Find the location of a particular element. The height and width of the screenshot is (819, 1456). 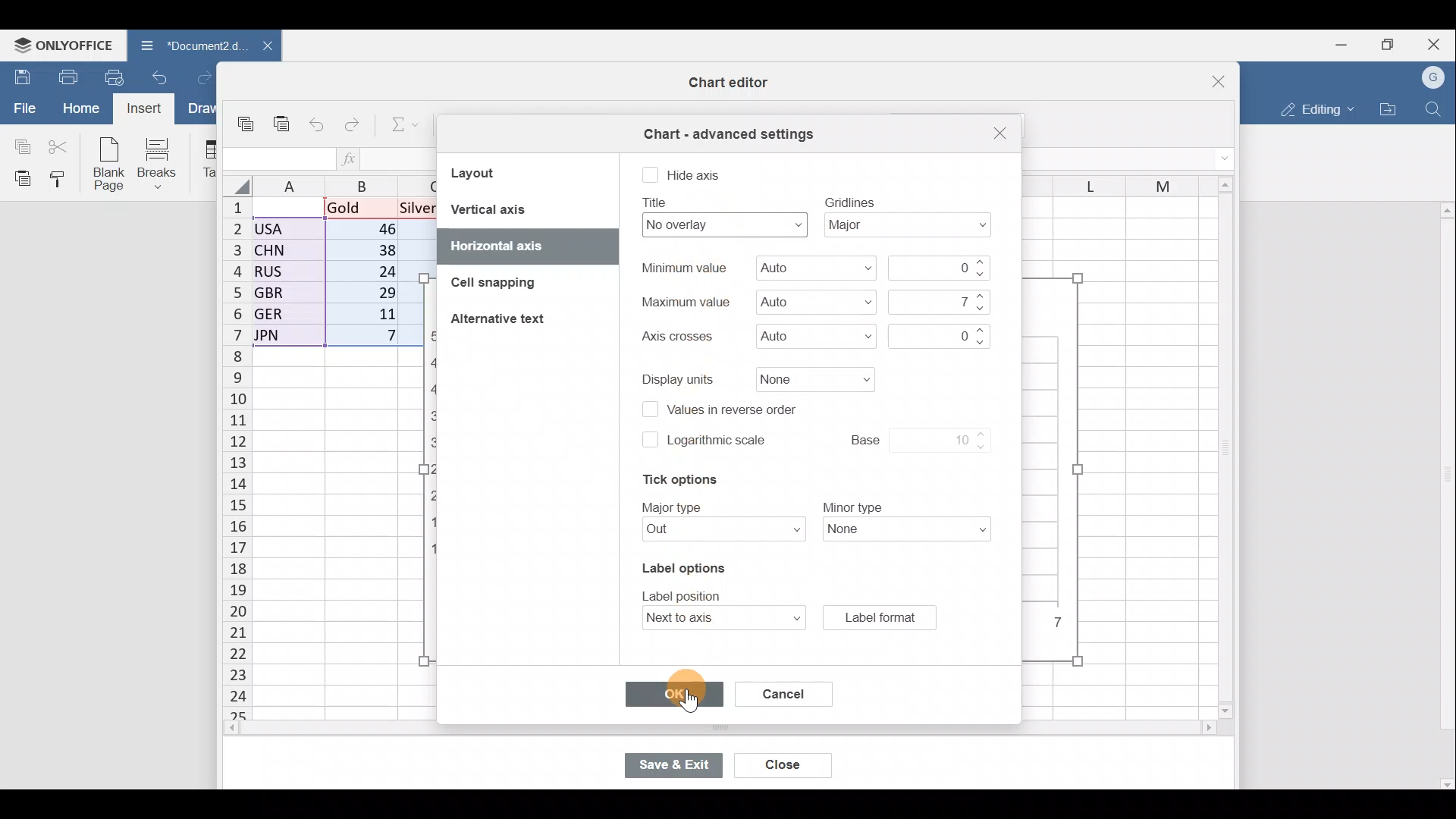

Scroll bar is located at coordinates (1444, 495).